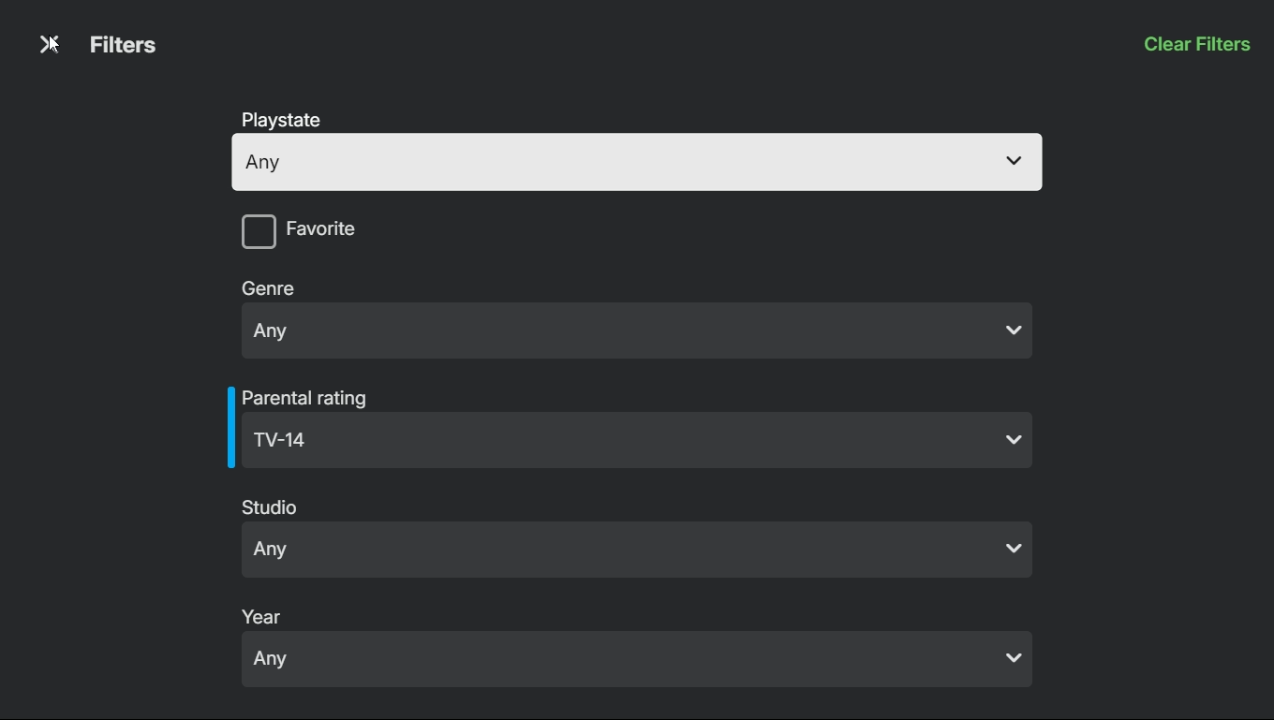 This screenshot has height=720, width=1274. Describe the element at coordinates (124, 45) in the screenshot. I see `filters` at that location.